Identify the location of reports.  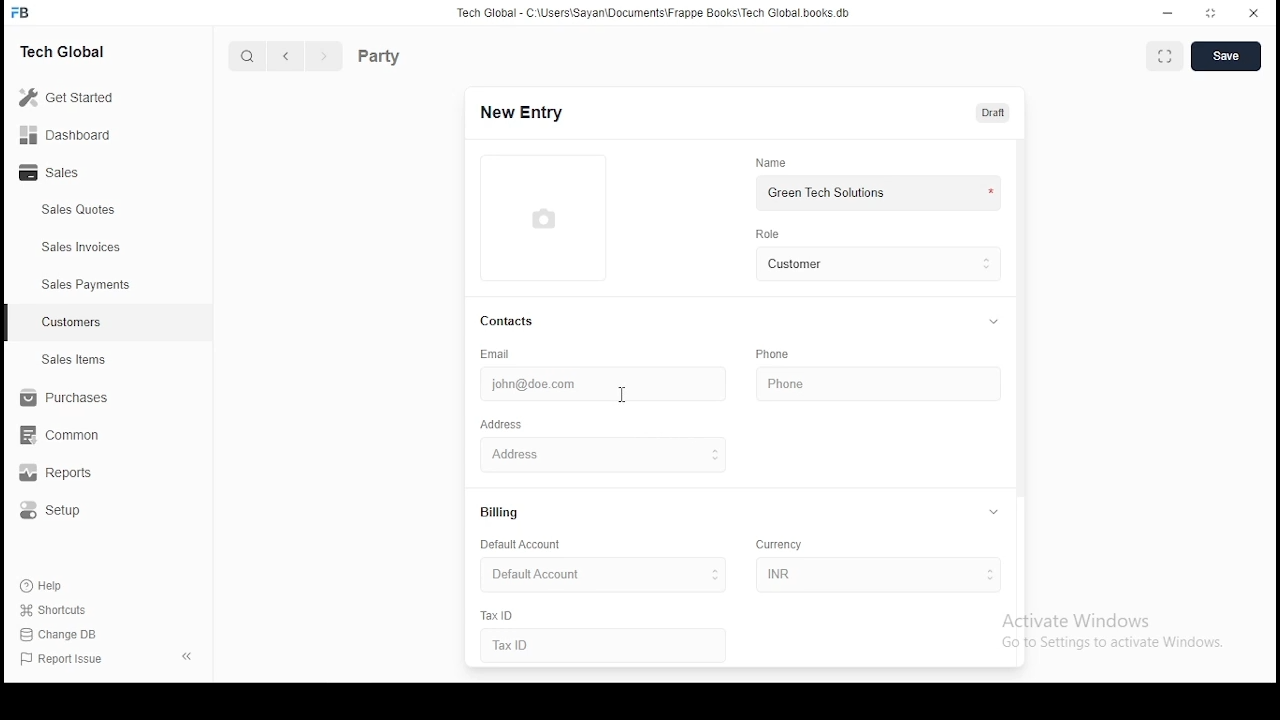
(64, 474).